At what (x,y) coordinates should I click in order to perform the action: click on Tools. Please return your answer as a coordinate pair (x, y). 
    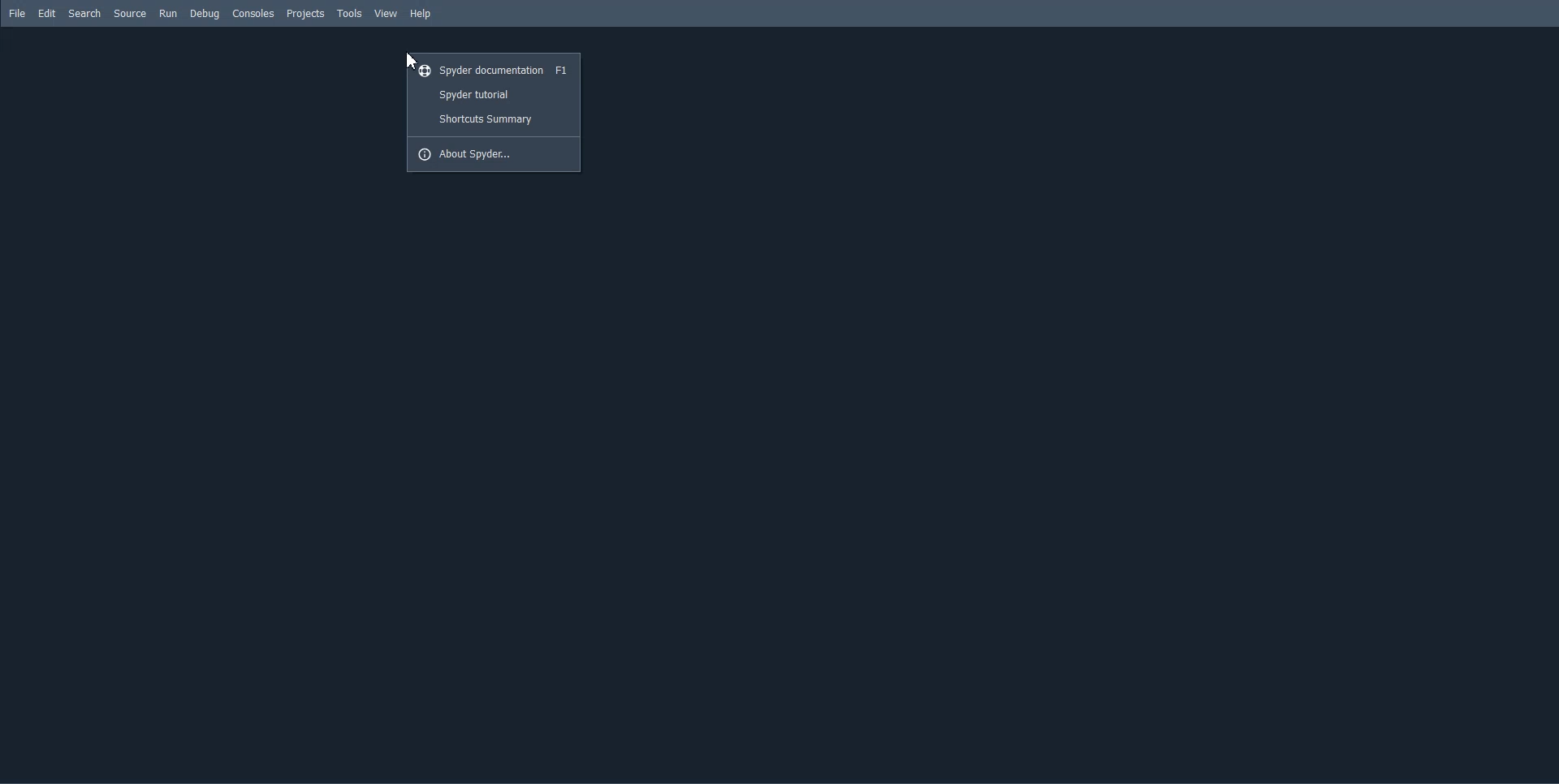
    Looking at the image, I should click on (349, 14).